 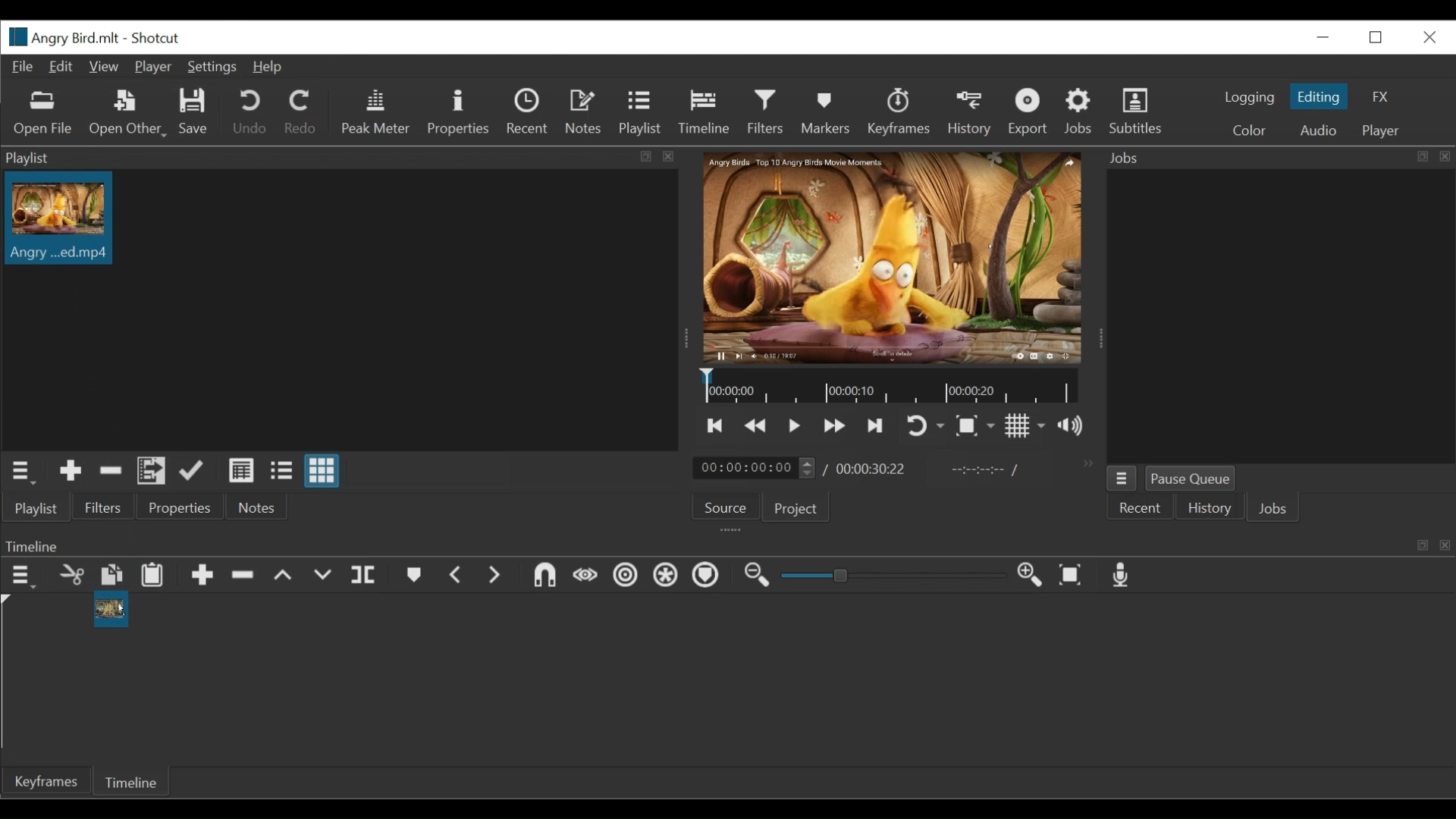 I want to click on Ripple, so click(x=626, y=576).